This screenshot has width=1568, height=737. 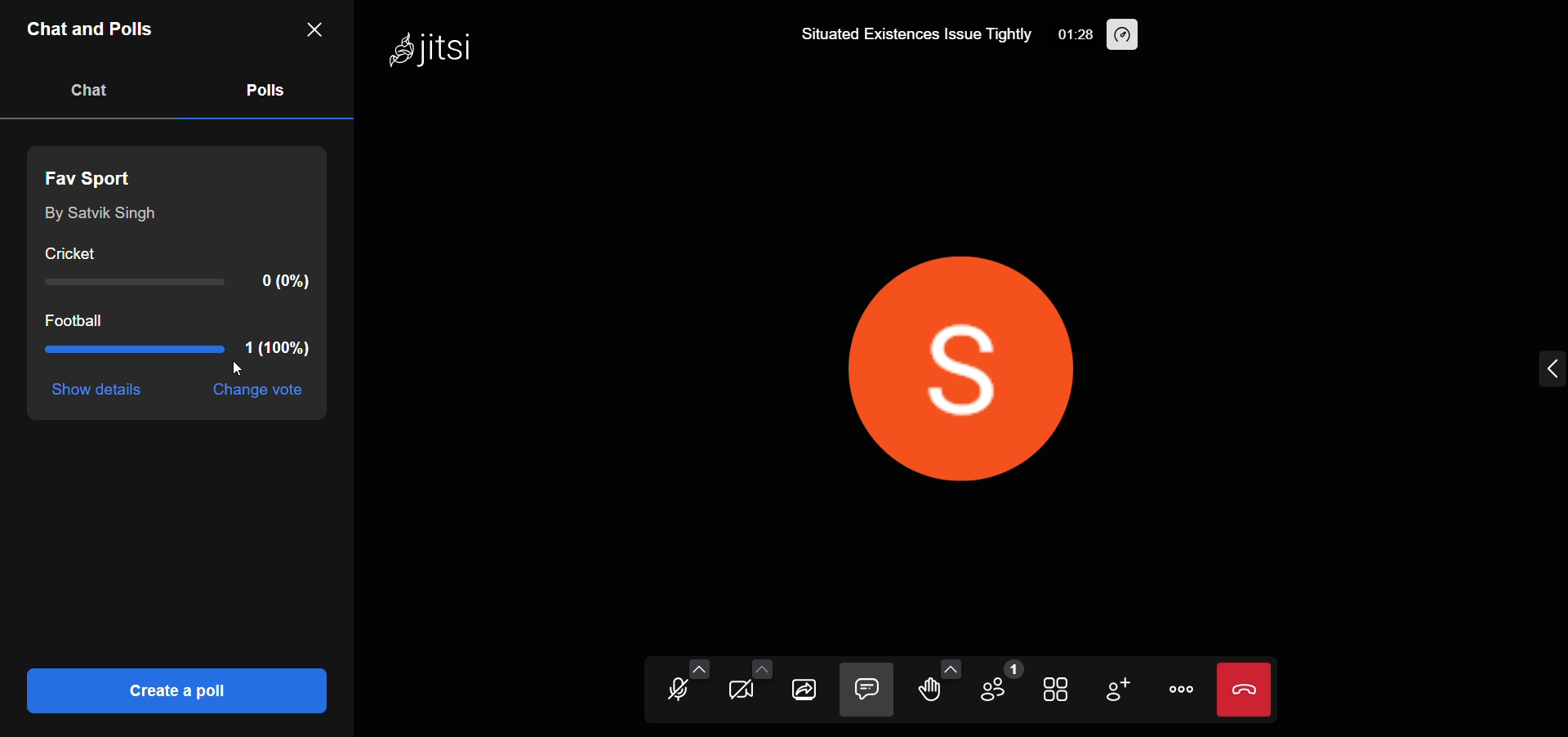 What do you see at coordinates (1137, 38) in the screenshot?
I see `performance setting` at bounding box center [1137, 38].